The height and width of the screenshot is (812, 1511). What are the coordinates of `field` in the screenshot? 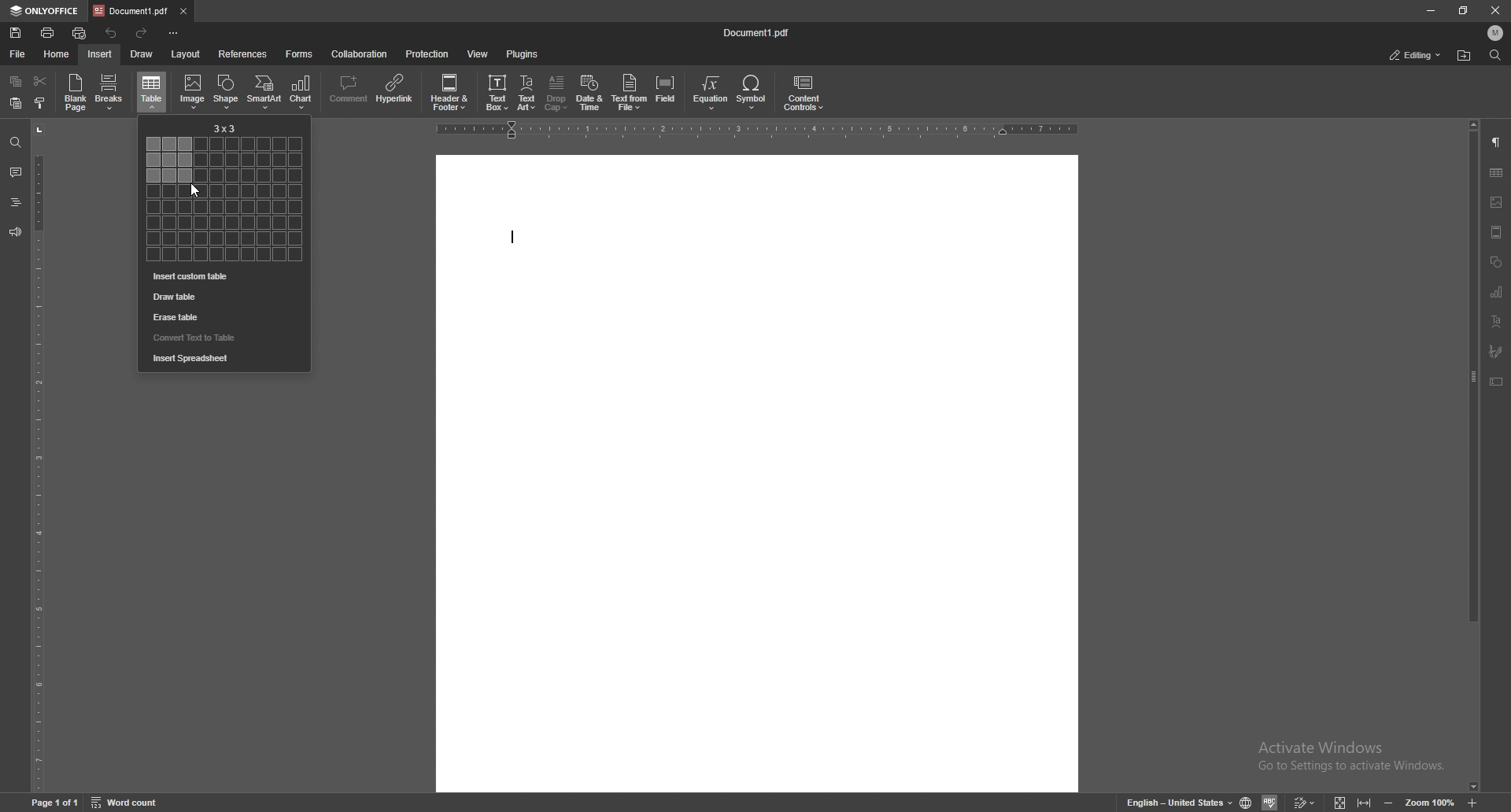 It's located at (667, 94).